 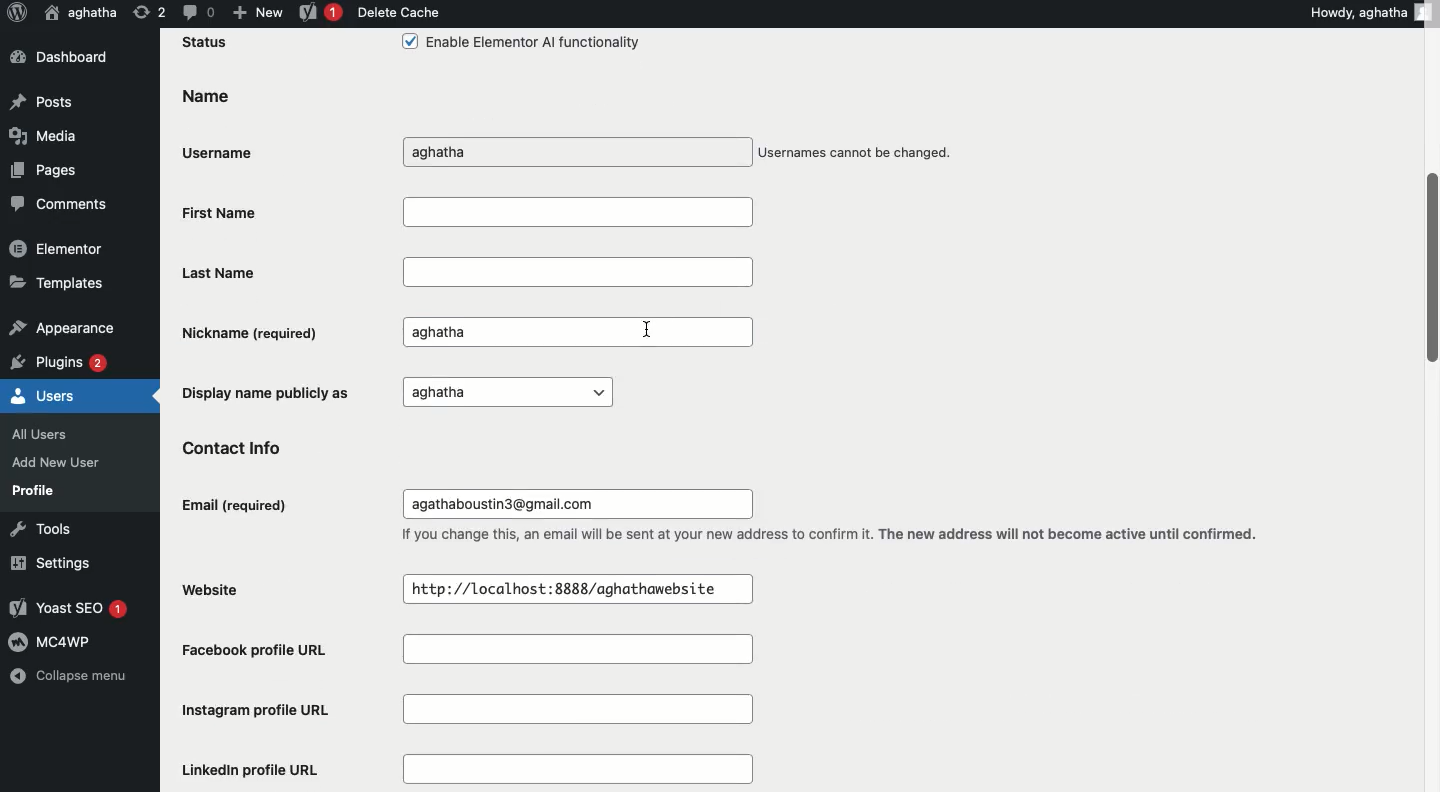 I want to click on MC4WP, so click(x=54, y=640).